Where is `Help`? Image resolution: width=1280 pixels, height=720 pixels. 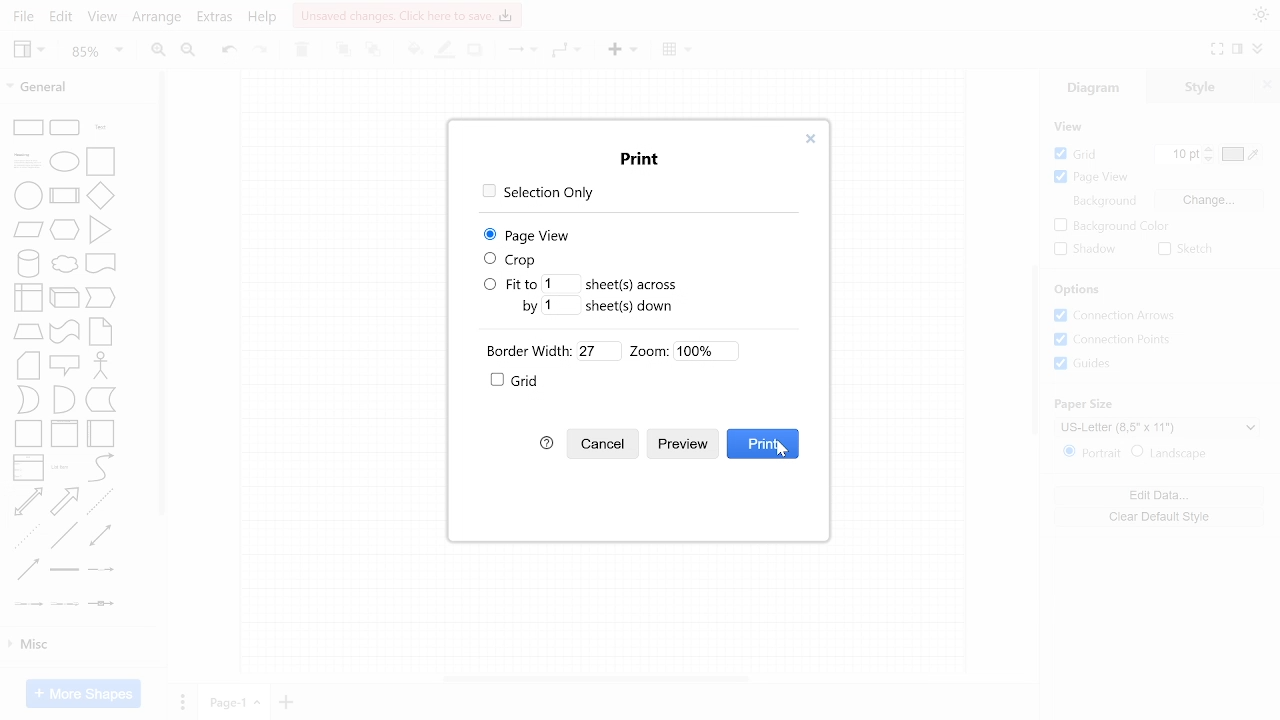 Help is located at coordinates (546, 443).